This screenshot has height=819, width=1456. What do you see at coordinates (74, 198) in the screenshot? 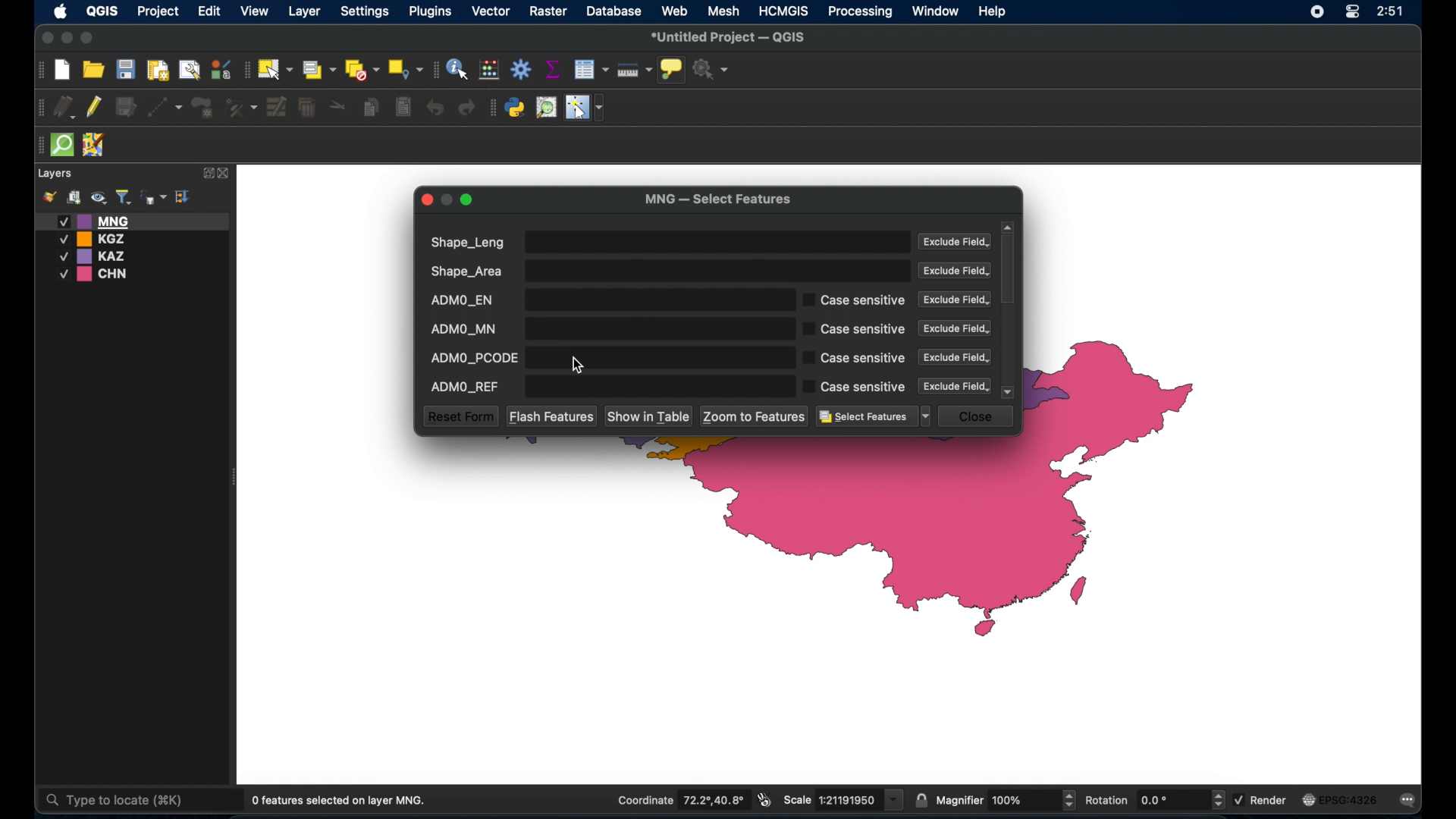
I see `add group` at bounding box center [74, 198].